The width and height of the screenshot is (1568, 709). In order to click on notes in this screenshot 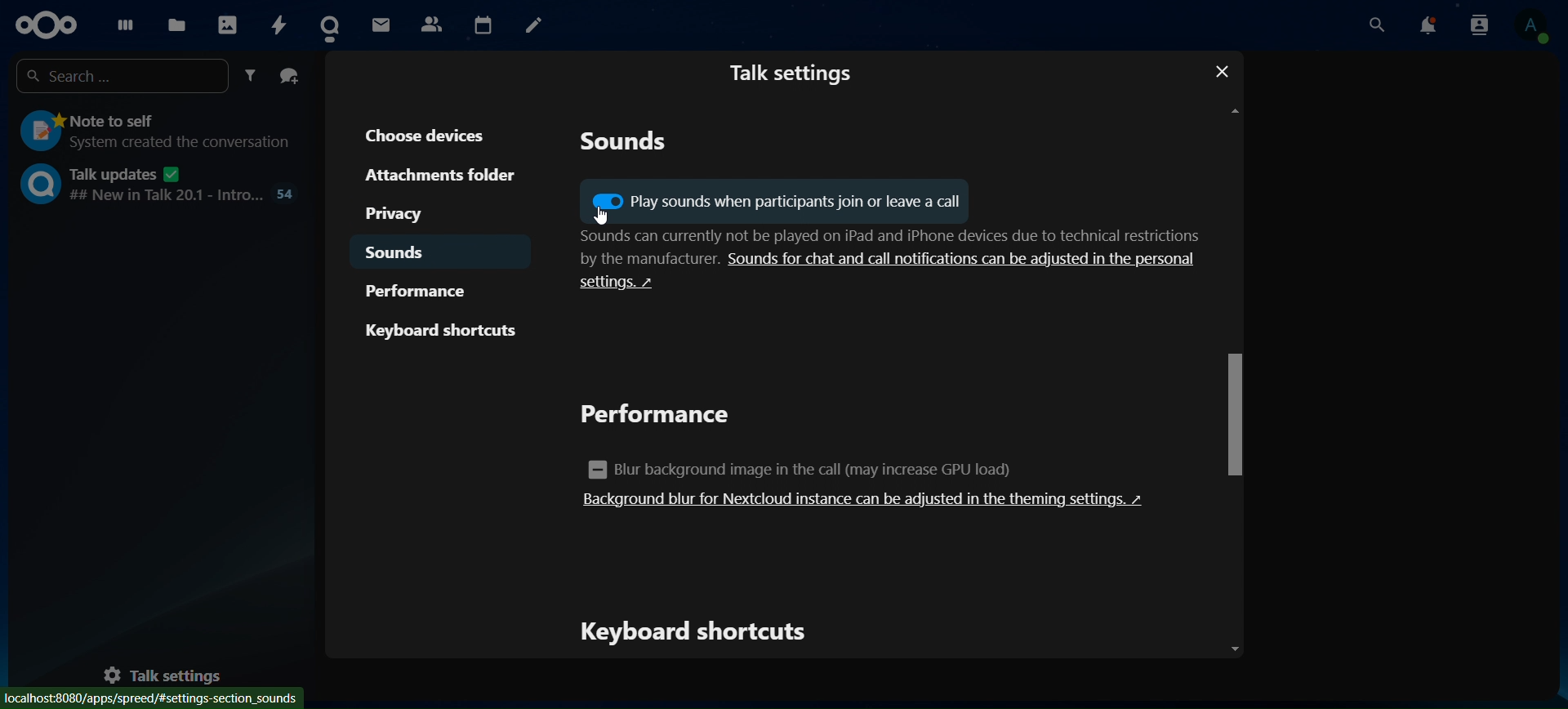, I will do `click(534, 25)`.